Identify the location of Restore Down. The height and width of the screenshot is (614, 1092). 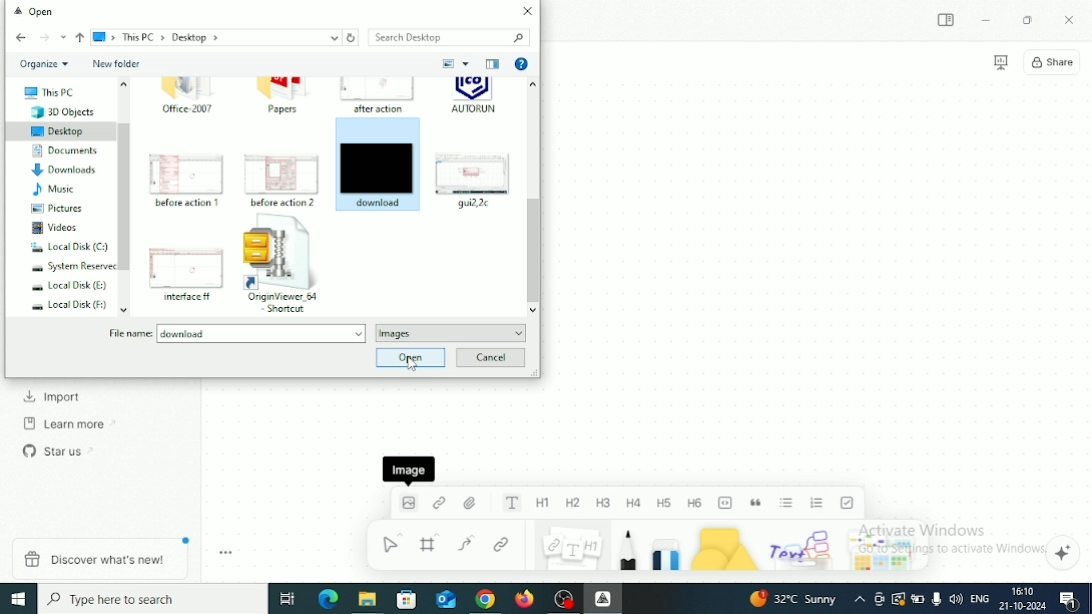
(1026, 21).